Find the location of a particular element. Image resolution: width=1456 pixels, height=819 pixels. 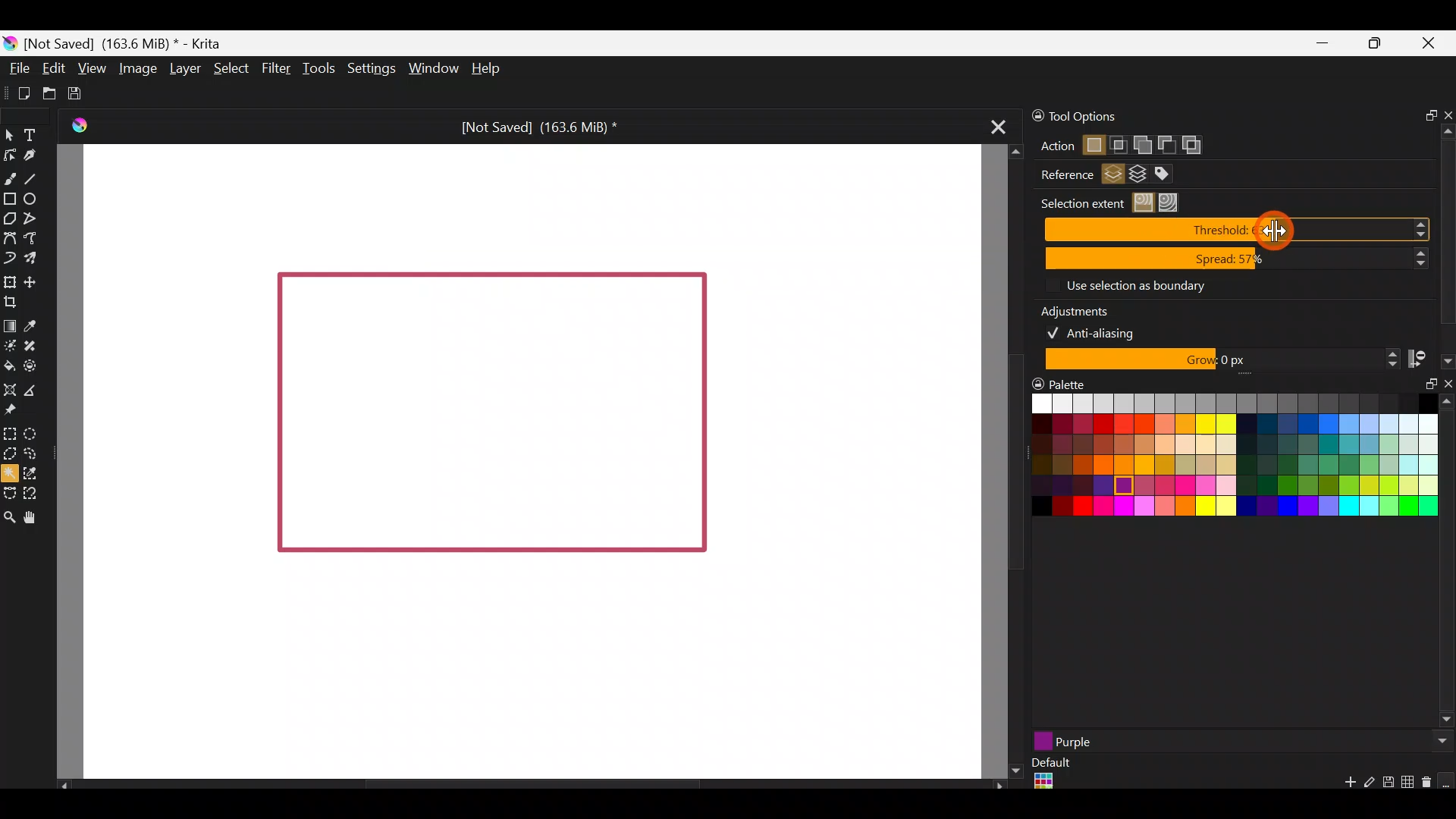

Scroll bar is located at coordinates (523, 784).